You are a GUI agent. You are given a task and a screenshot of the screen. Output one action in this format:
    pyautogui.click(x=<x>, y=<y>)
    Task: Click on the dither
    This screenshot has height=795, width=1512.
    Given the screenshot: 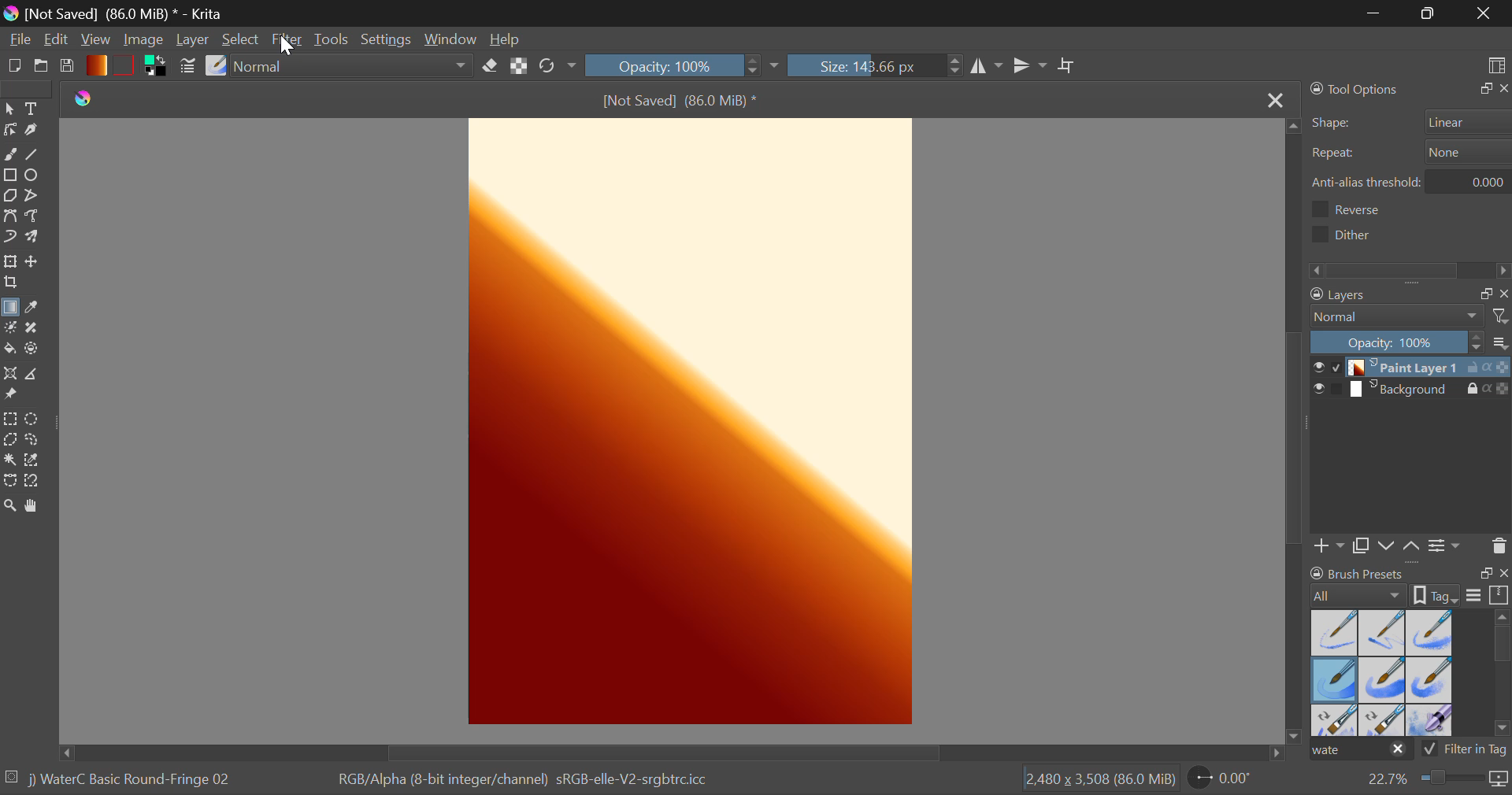 What is the action you would take?
    pyautogui.click(x=1347, y=234)
    